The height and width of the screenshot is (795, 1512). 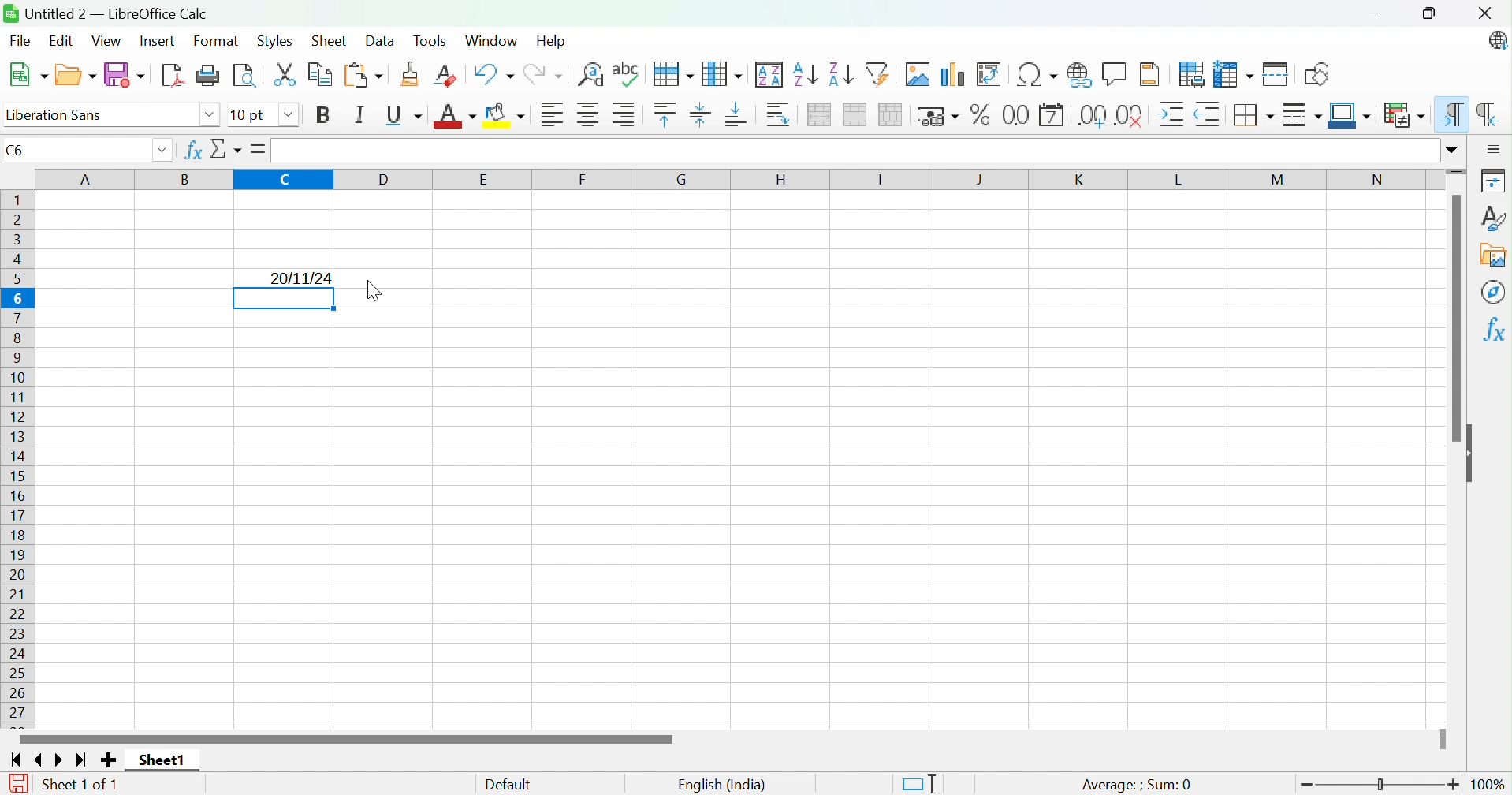 What do you see at coordinates (76, 74) in the screenshot?
I see `Open` at bounding box center [76, 74].